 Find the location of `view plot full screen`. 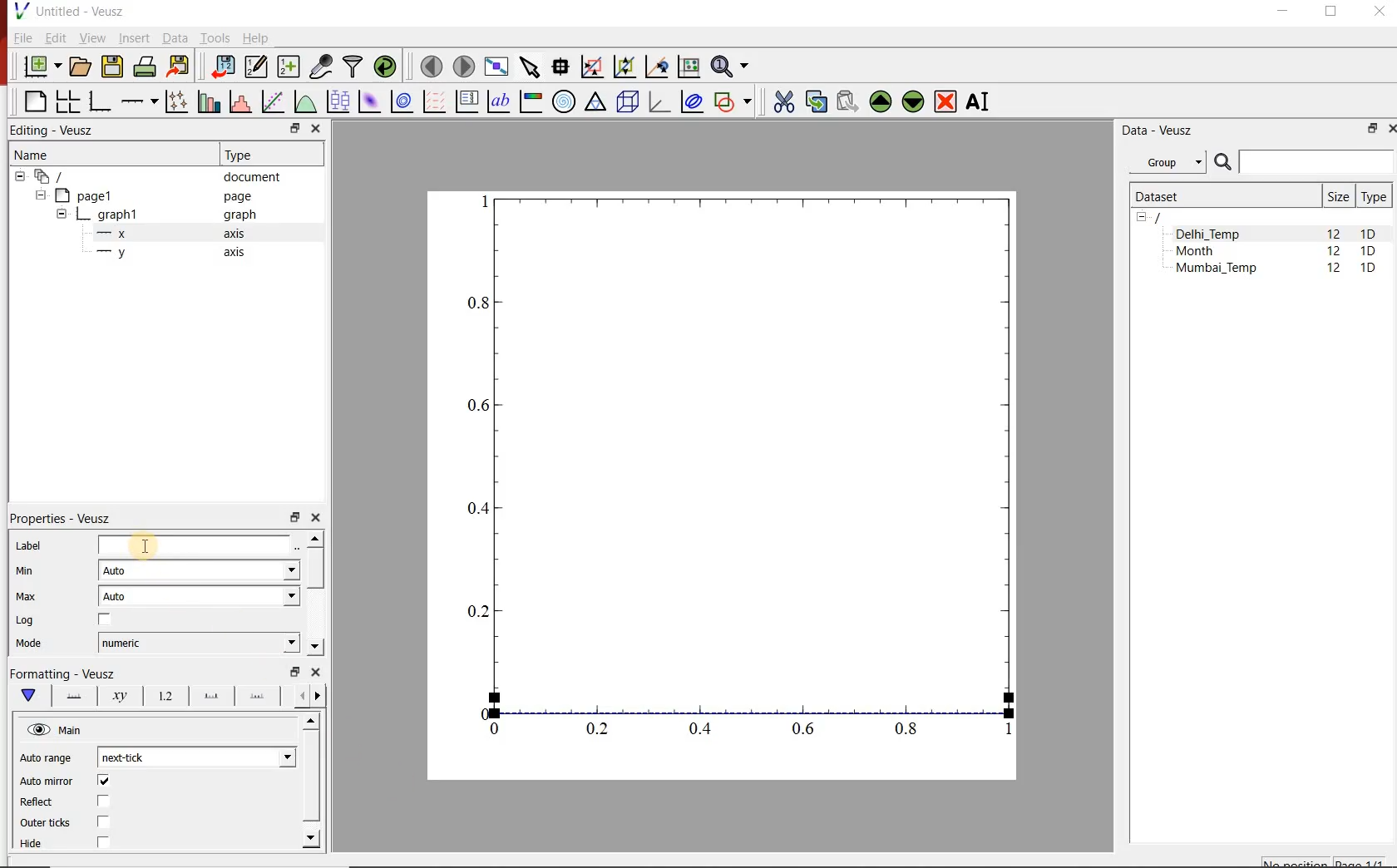

view plot full screen is located at coordinates (496, 67).